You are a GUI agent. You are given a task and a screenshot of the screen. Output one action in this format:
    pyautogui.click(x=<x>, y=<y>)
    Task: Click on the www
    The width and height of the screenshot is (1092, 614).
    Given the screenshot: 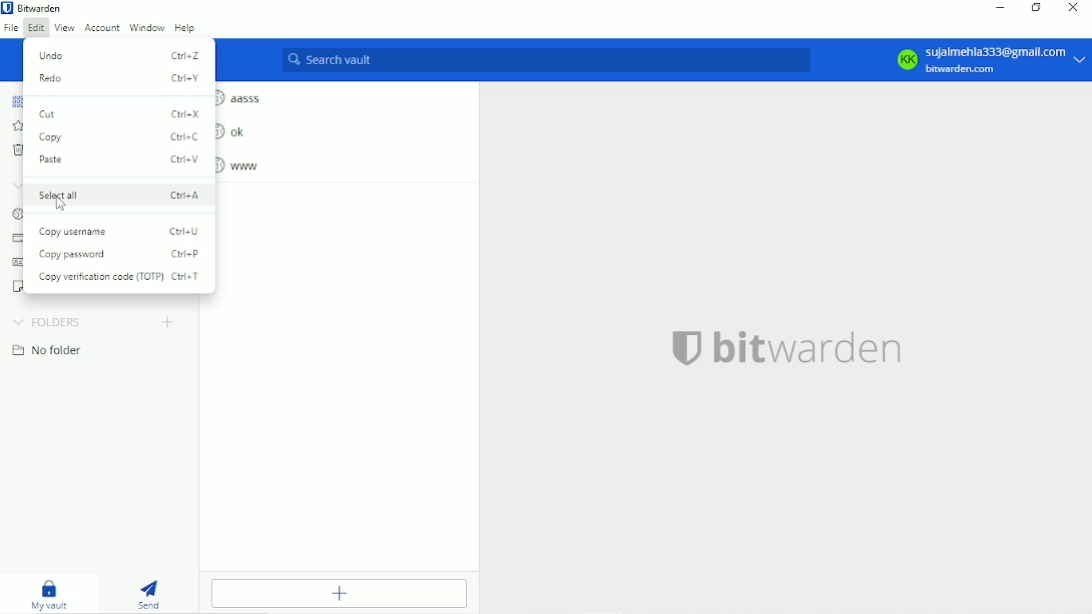 What is the action you would take?
    pyautogui.click(x=244, y=165)
    